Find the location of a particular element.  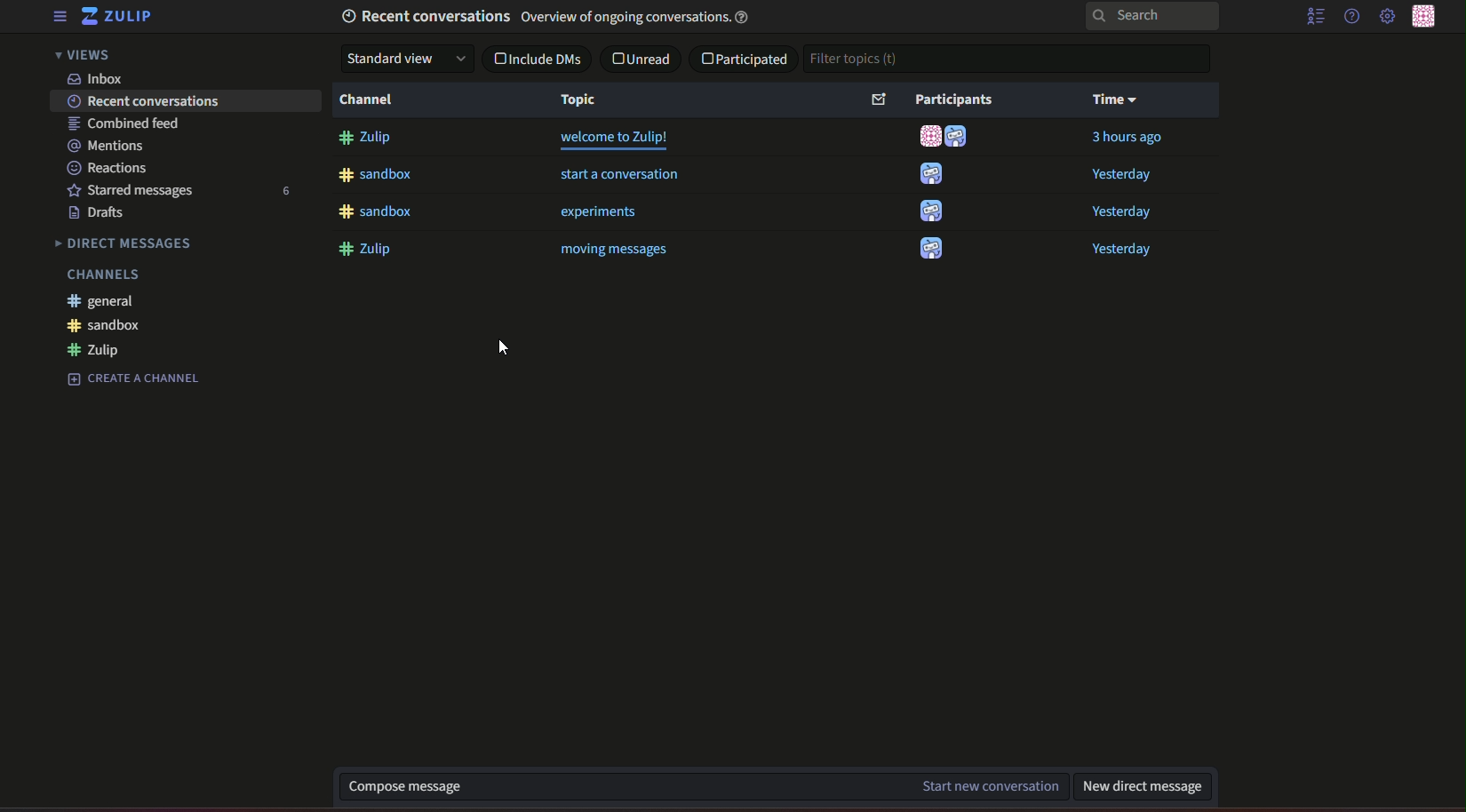

#sandbox is located at coordinates (377, 211).